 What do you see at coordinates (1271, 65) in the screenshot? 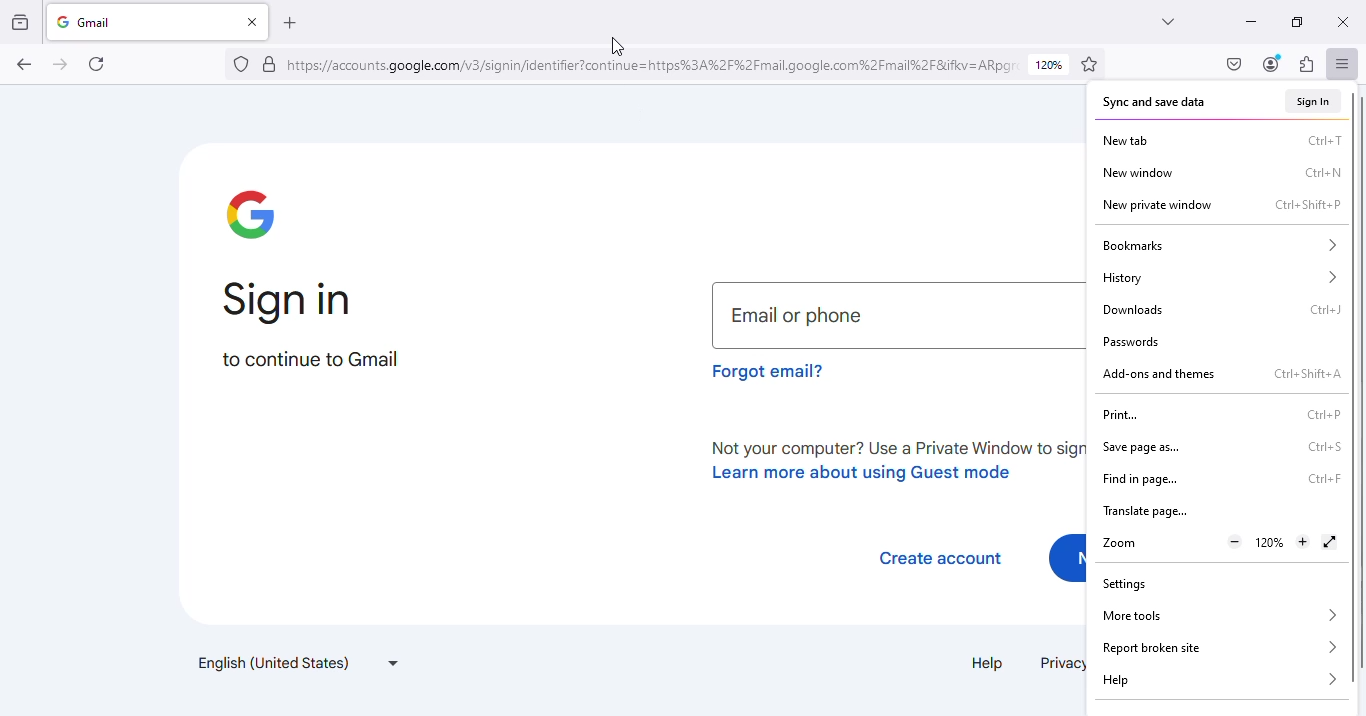
I see `account` at bounding box center [1271, 65].